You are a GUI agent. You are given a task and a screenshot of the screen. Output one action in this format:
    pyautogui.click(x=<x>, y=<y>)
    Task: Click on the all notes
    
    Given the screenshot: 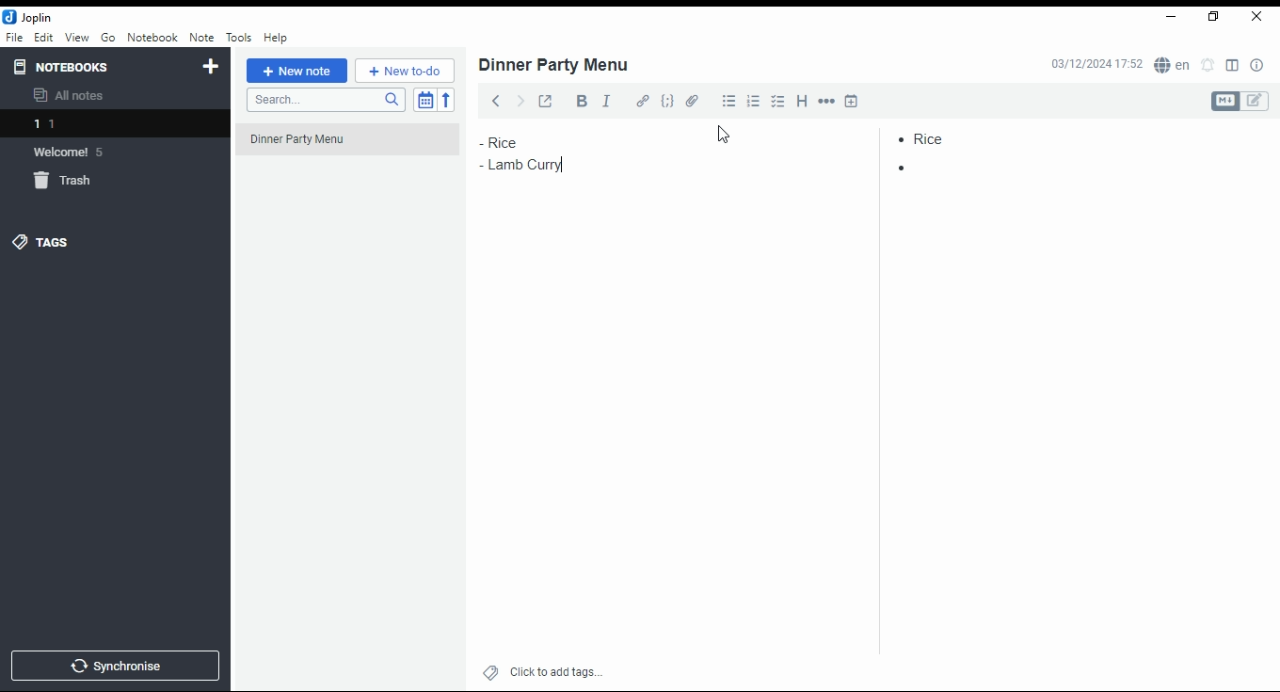 What is the action you would take?
    pyautogui.click(x=74, y=96)
    